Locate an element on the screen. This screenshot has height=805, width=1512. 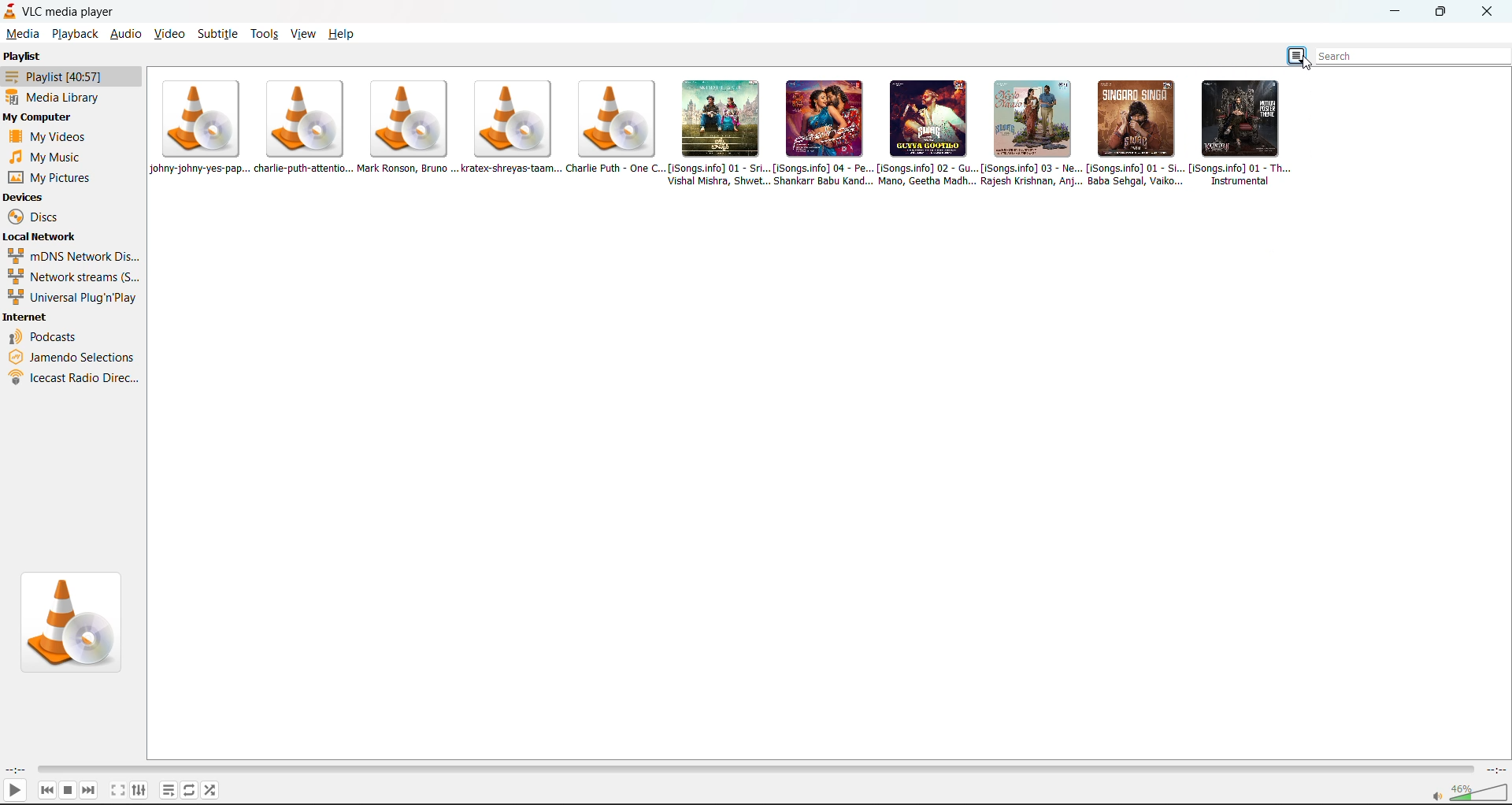
icecast is located at coordinates (74, 377).